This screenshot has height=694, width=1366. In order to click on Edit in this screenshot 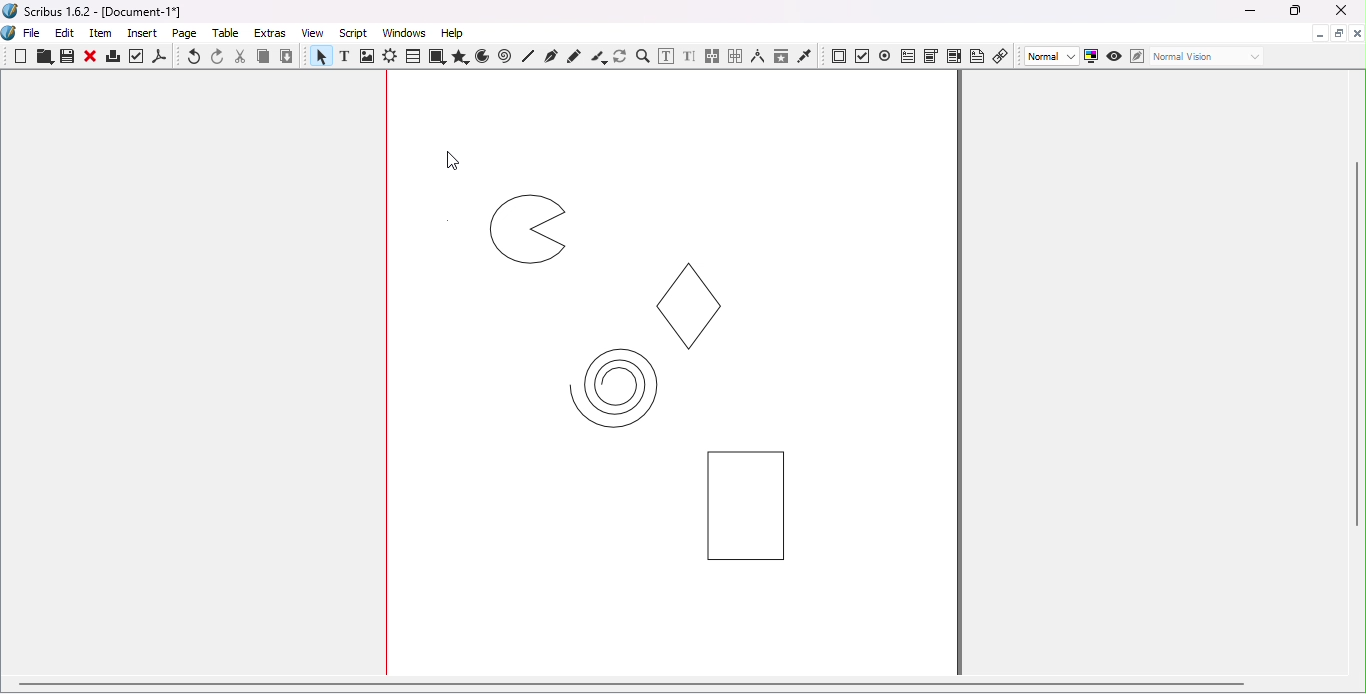, I will do `click(65, 33)`.